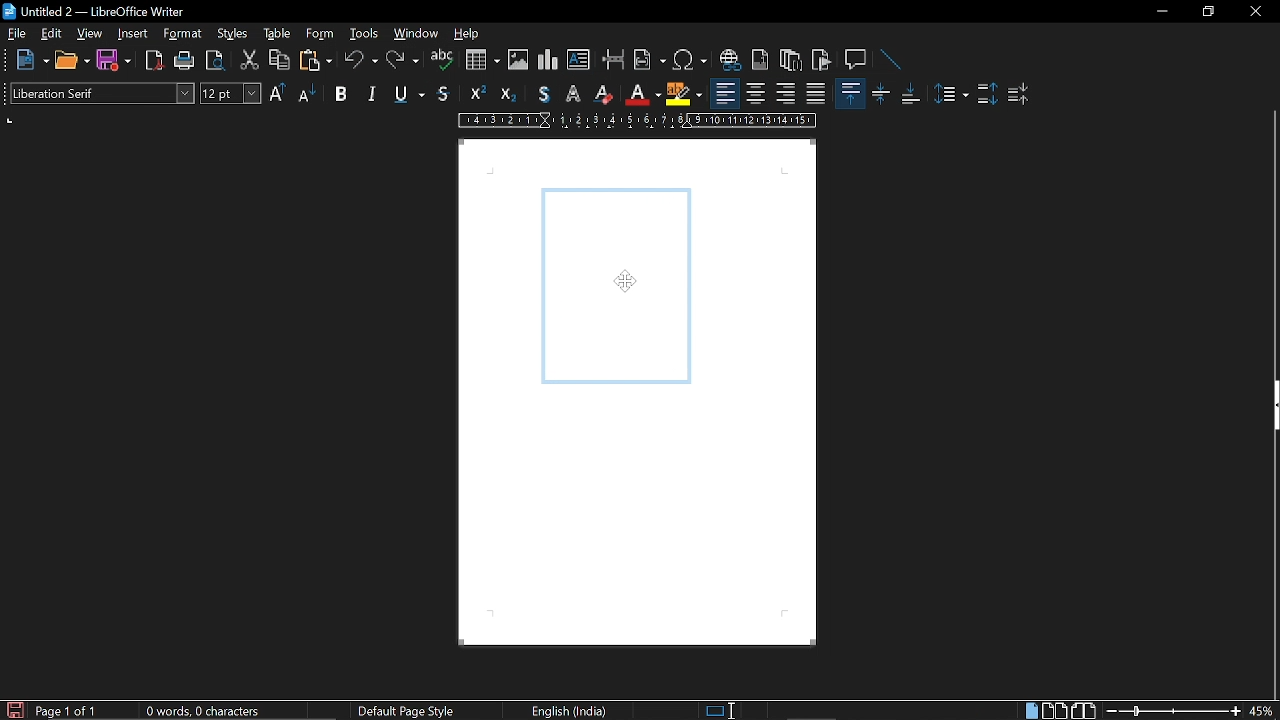 The height and width of the screenshot is (720, 1280). Describe the element at coordinates (200, 711) in the screenshot. I see `0 words 0 character` at that location.